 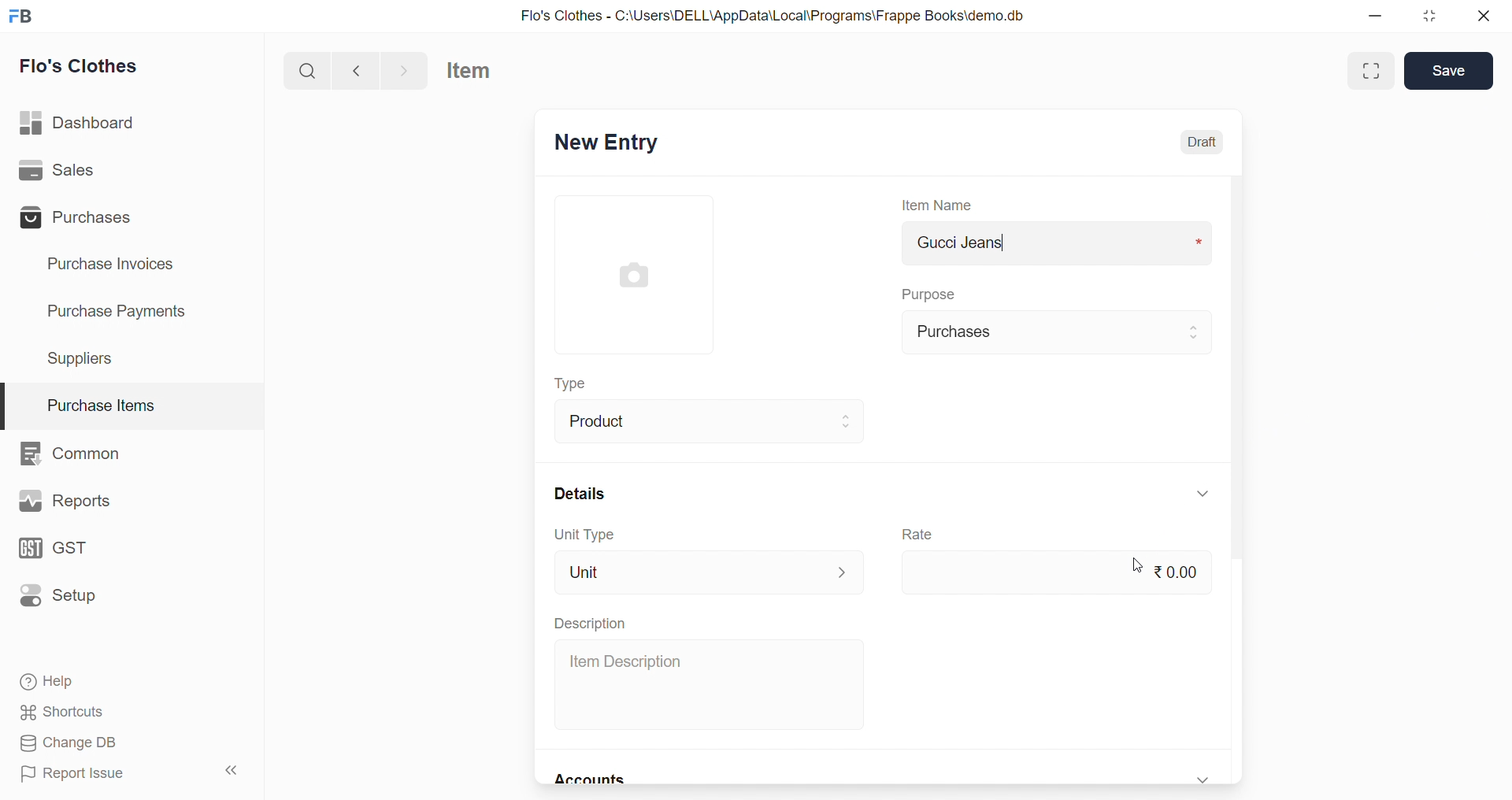 I want to click on Unit, so click(x=710, y=572).